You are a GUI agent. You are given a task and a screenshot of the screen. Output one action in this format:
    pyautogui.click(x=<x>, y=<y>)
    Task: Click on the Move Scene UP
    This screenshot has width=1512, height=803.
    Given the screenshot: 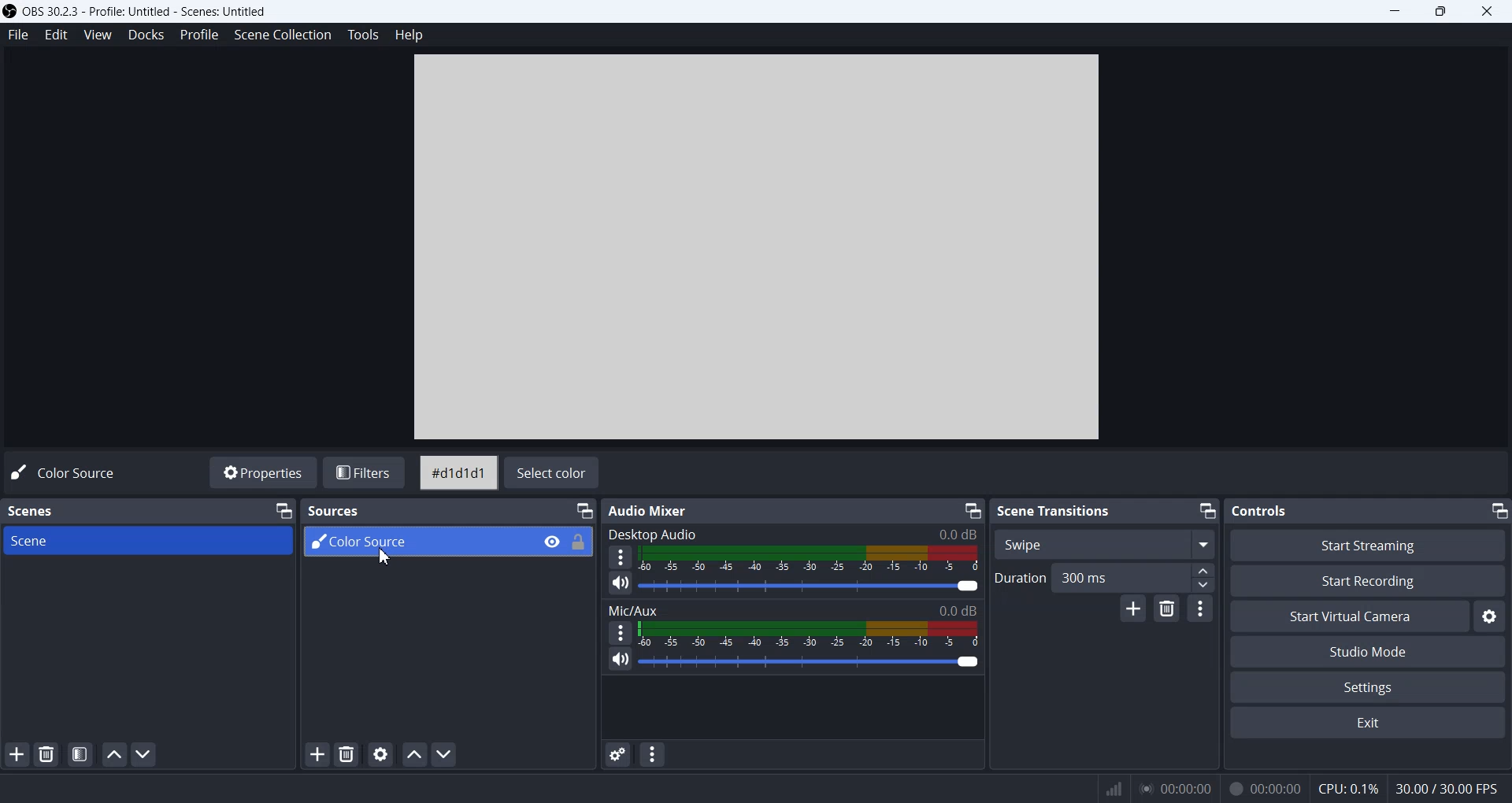 What is the action you would take?
    pyautogui.click(x=114, y=754)
    